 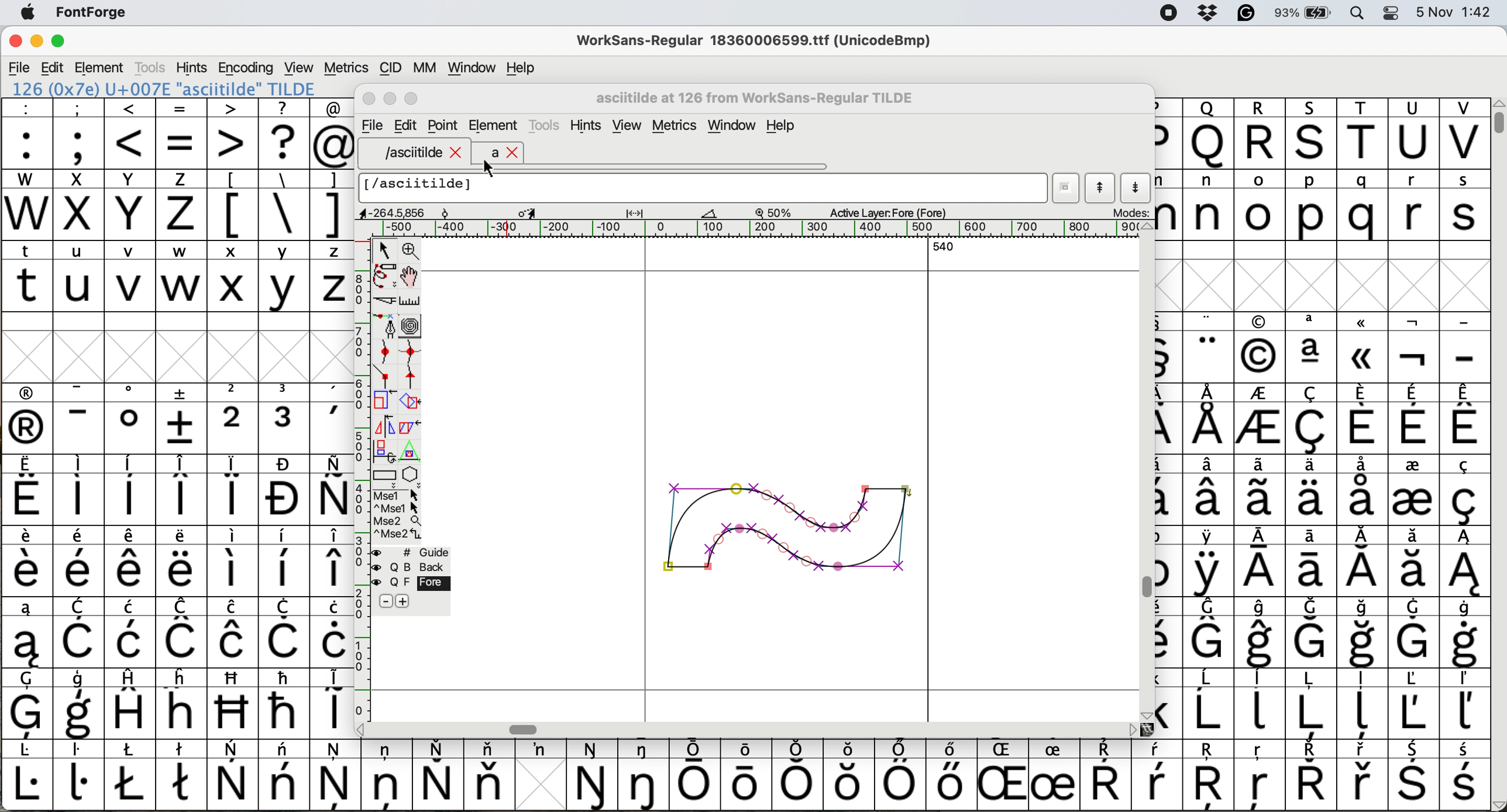 I want to click on symbol, so click(x=489, y=774).